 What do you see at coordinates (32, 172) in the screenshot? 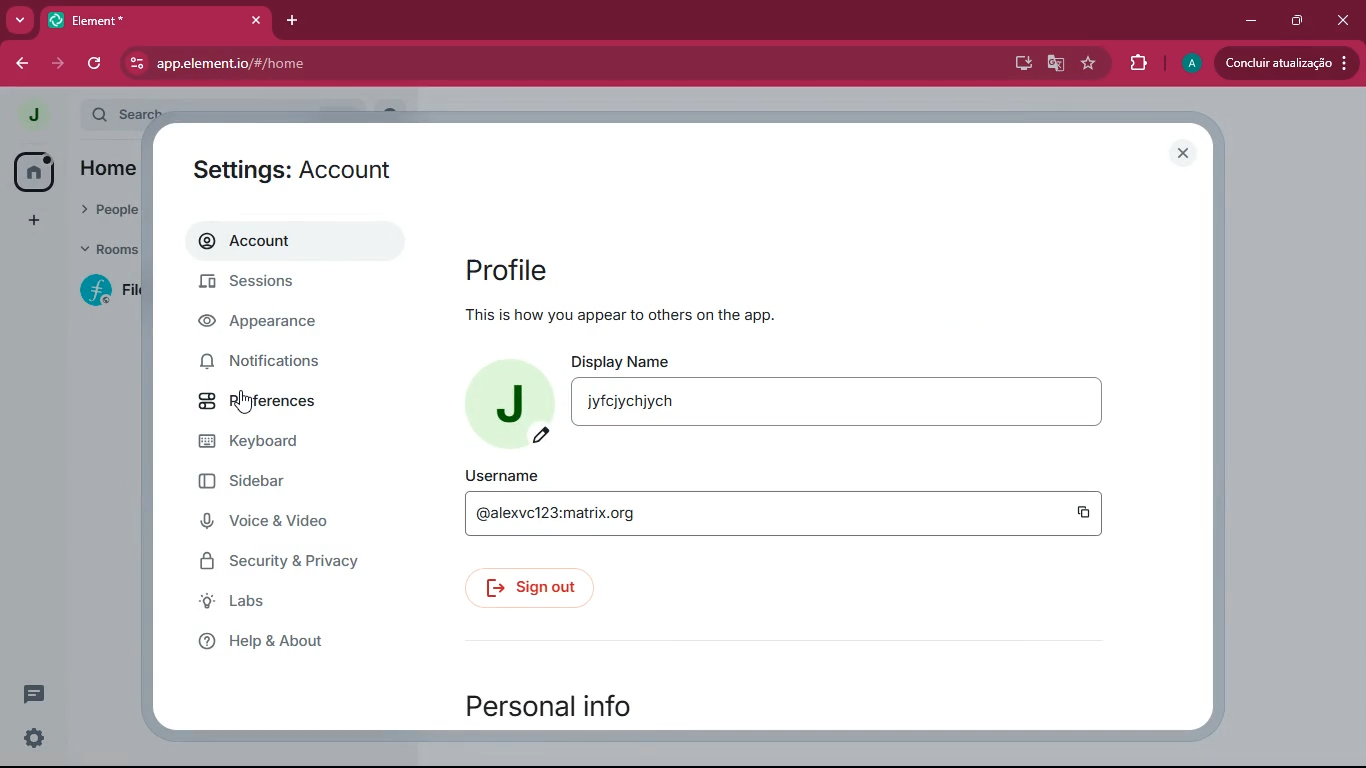
I see `home` at bounding box center [32, 172].